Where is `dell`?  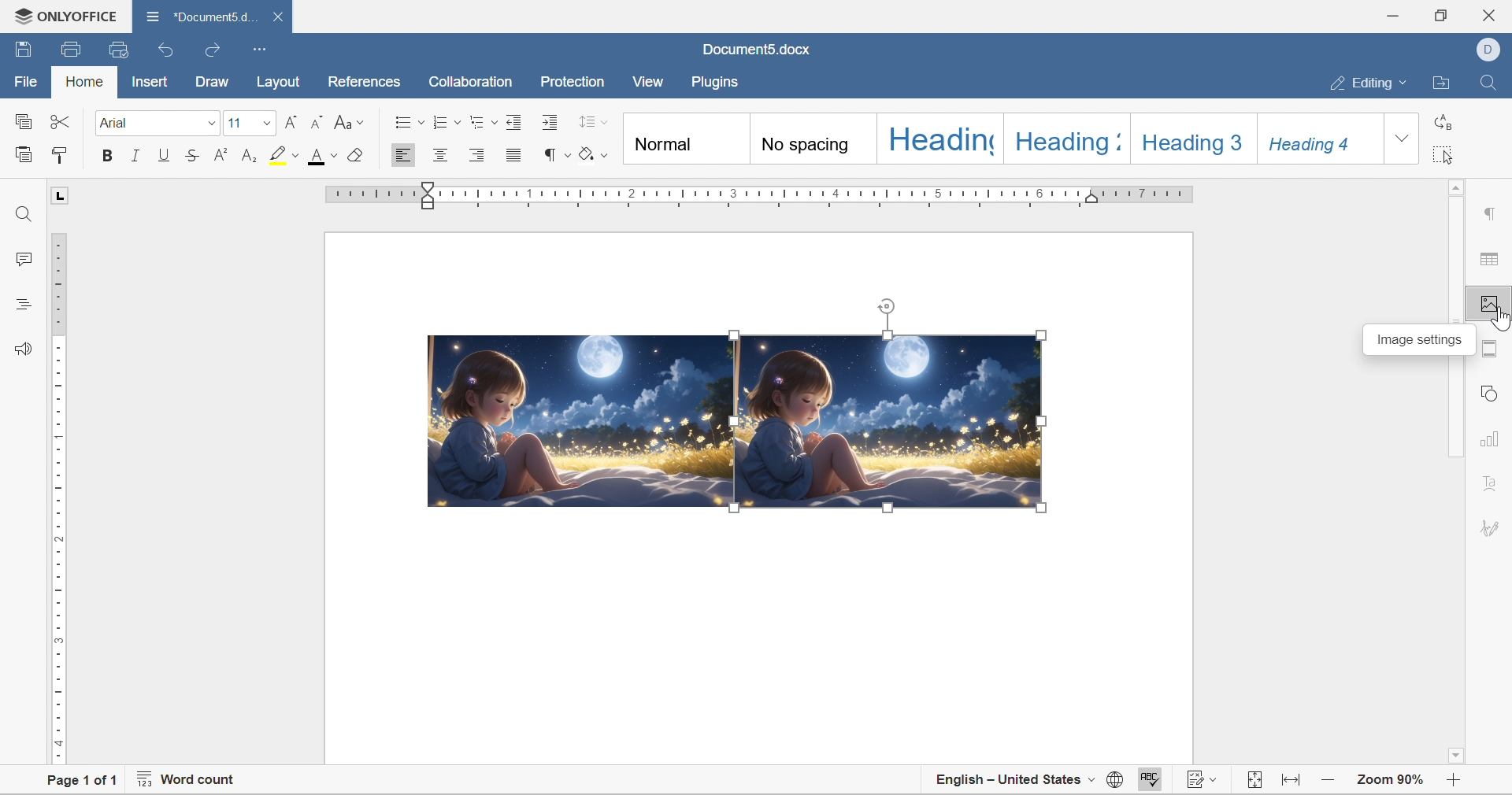 dell is located at coordinates (1487, 48).